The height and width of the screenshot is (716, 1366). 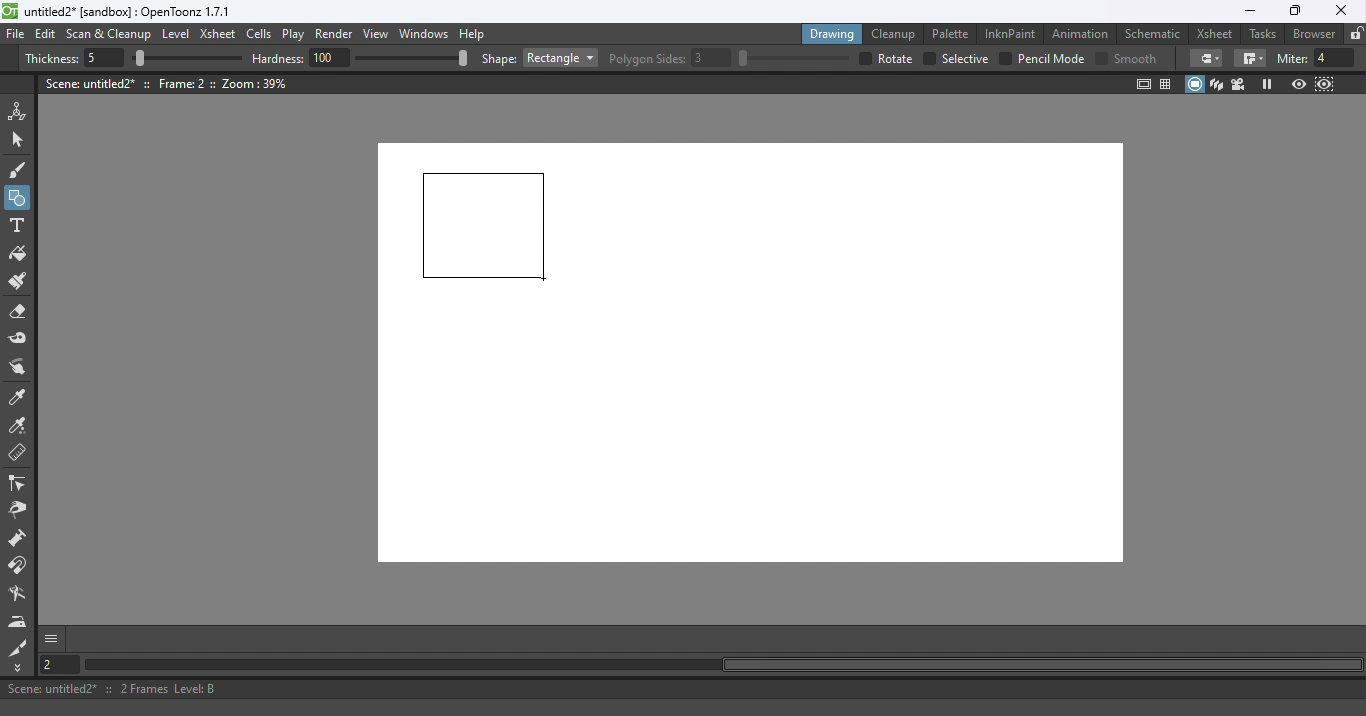 I want to click on Blender tool, so click(x=21, y=595).